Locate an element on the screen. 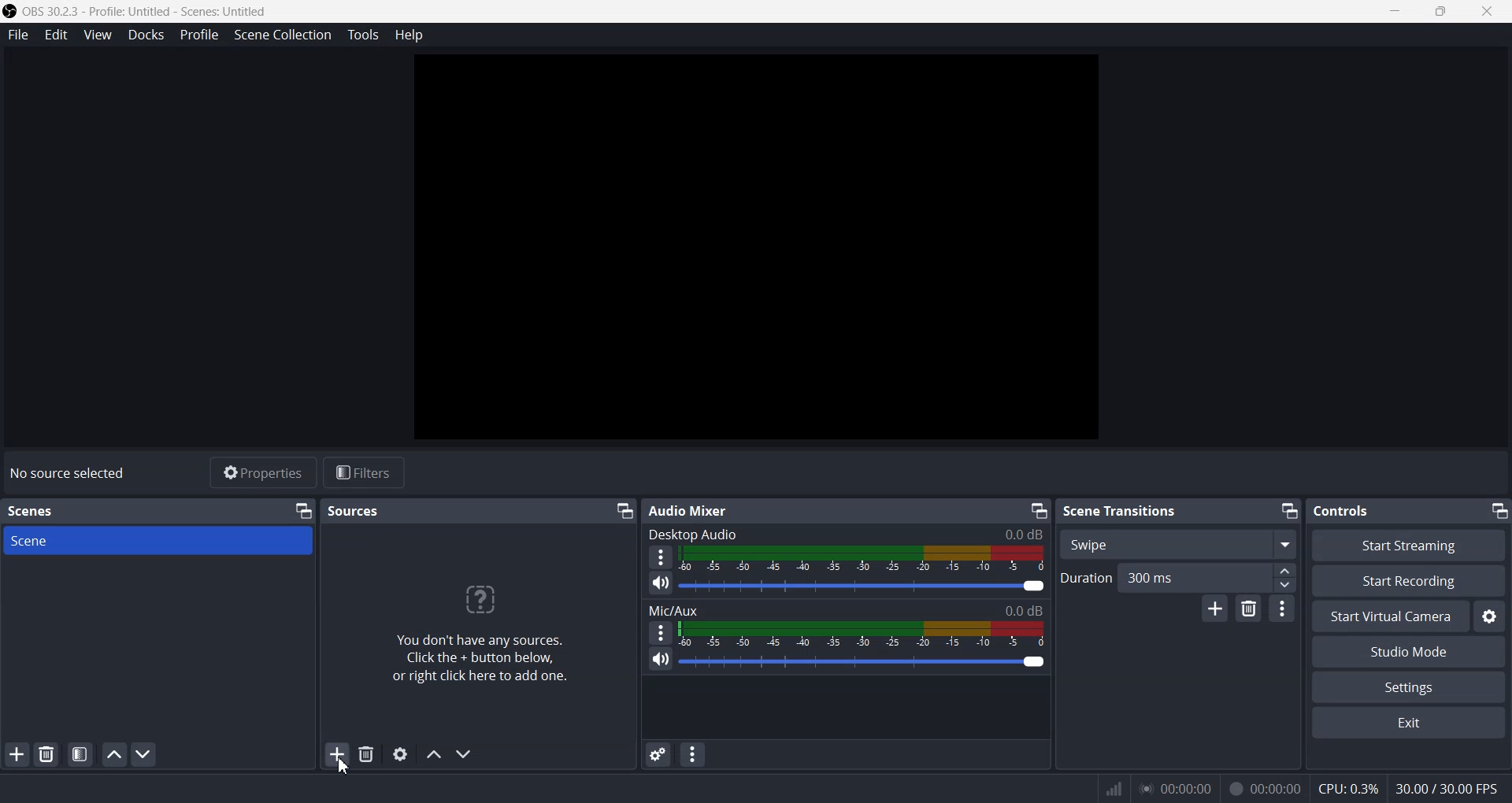 This screenshot has height=803, width=1512. Profile is located at coordinates (199, 35).